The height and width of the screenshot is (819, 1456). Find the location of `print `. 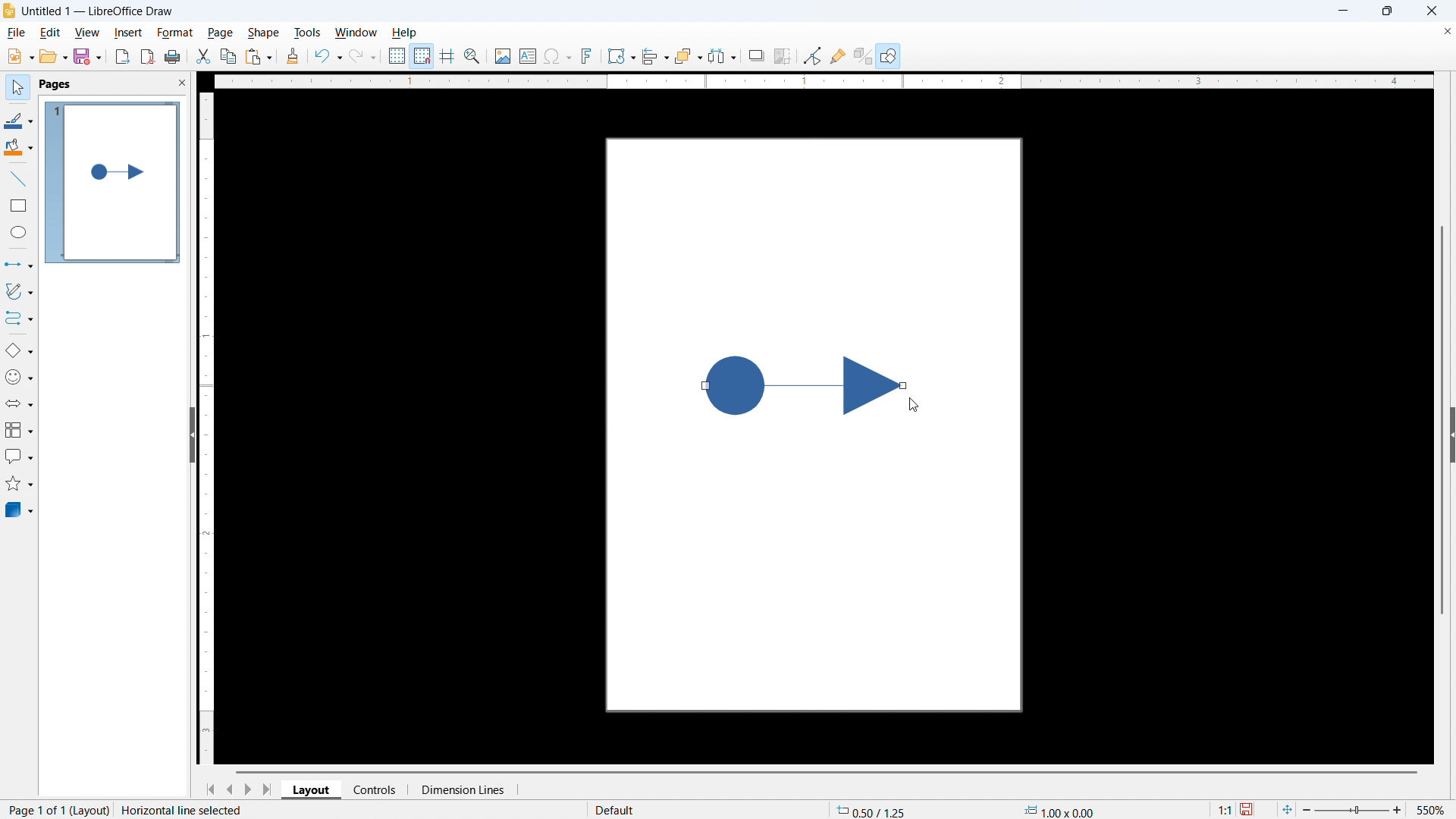

print  is located at coordinates (173, 56).